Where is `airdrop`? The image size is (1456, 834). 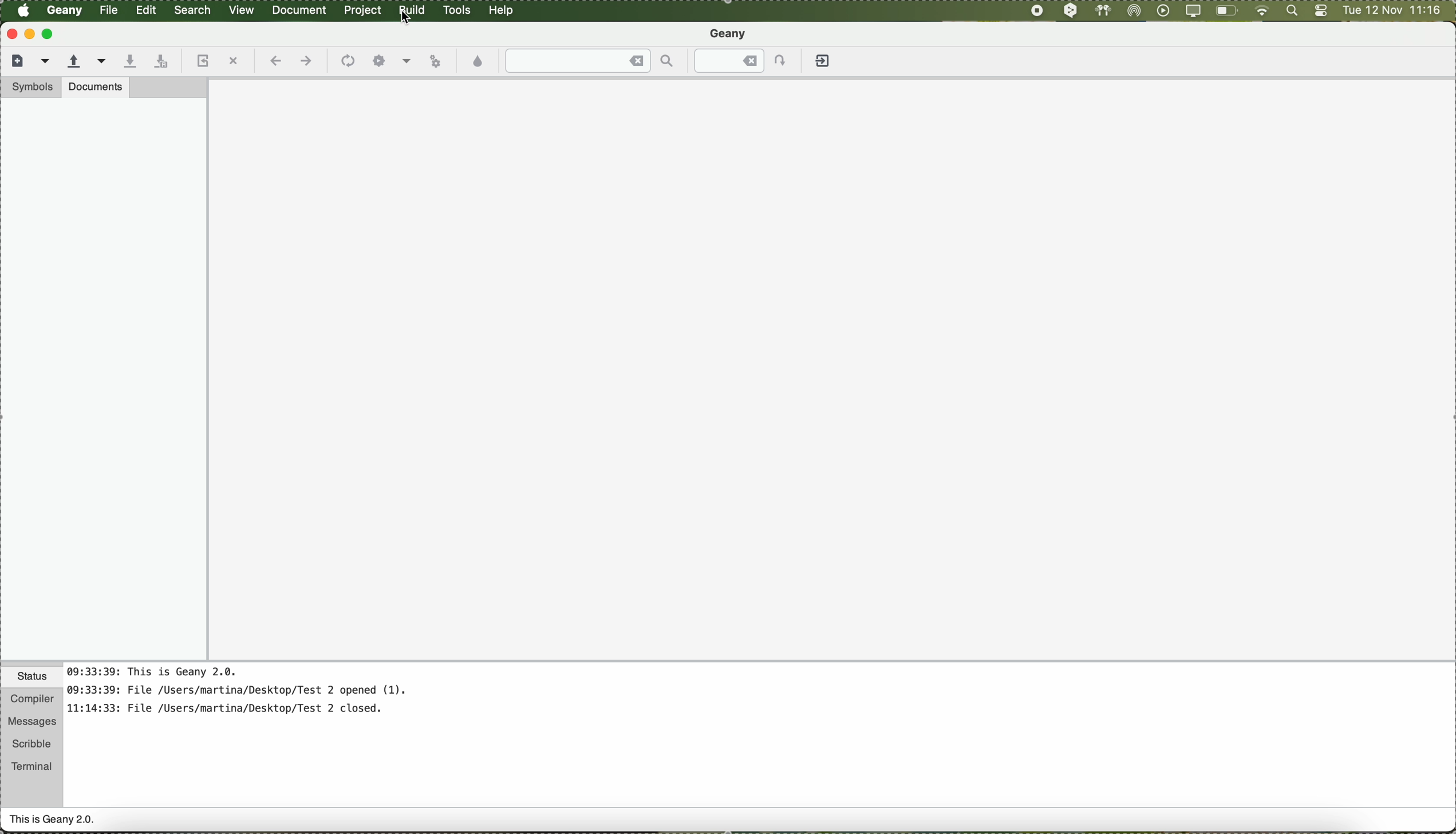 airdrop is located at coordinates (1134, 11).